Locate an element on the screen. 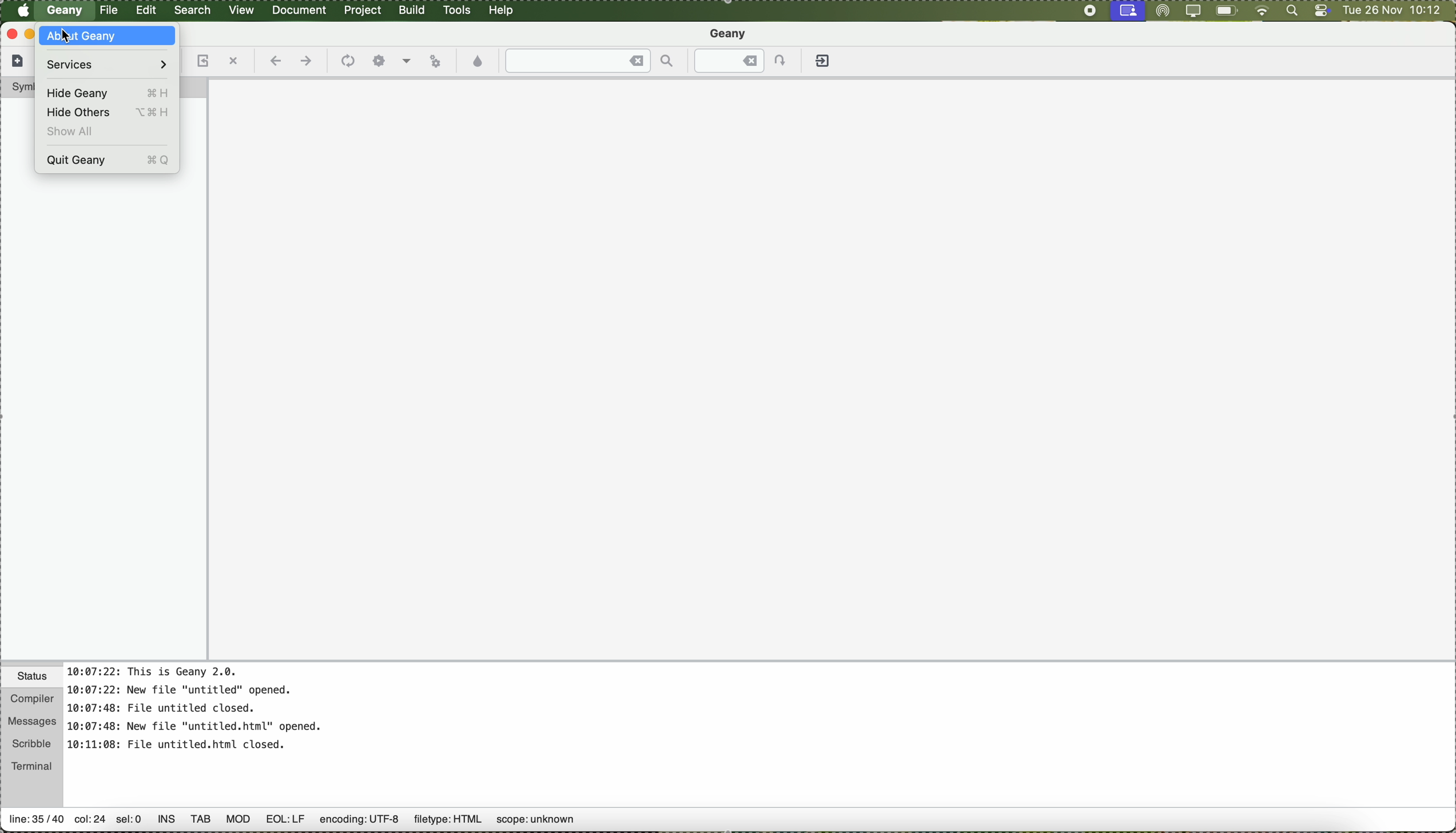 The image size is (1456, 833). scribble is located at coordinates (32, 741).